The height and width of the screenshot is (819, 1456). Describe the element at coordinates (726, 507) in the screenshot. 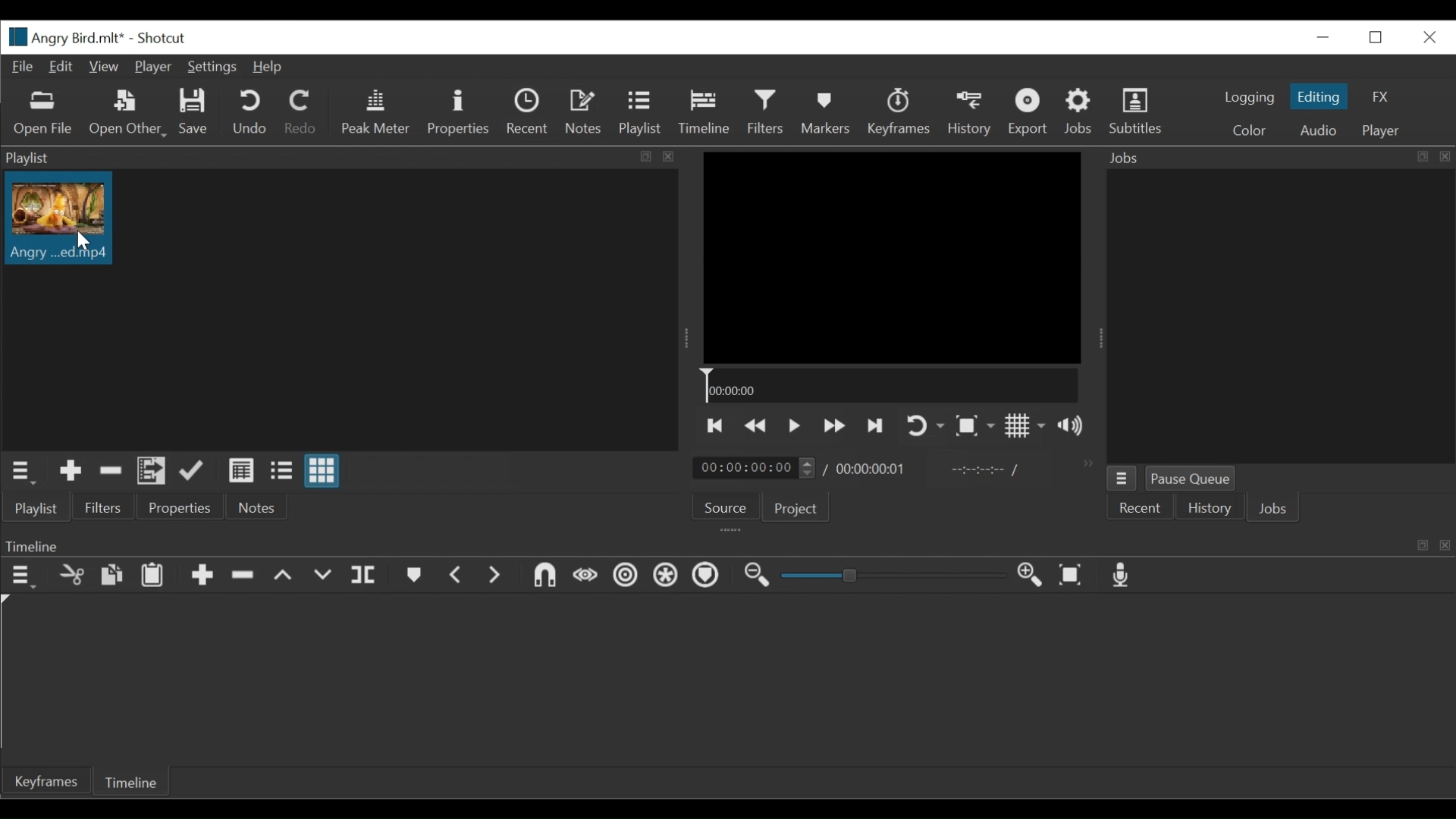

I see `Source` at that location.